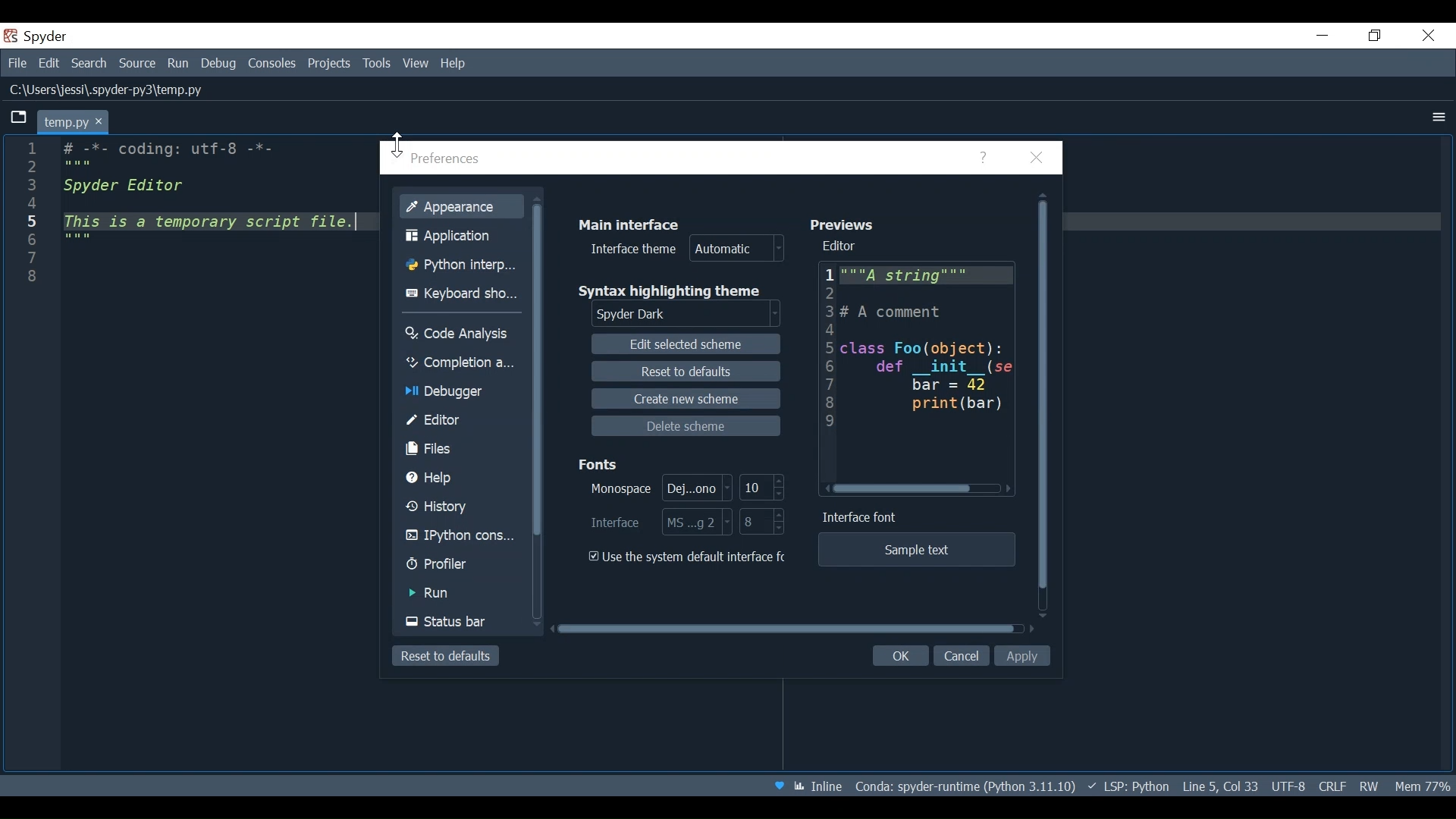  Describe the element at coordinates (220, 64) in the screenshot. I see `Debug` at that location.